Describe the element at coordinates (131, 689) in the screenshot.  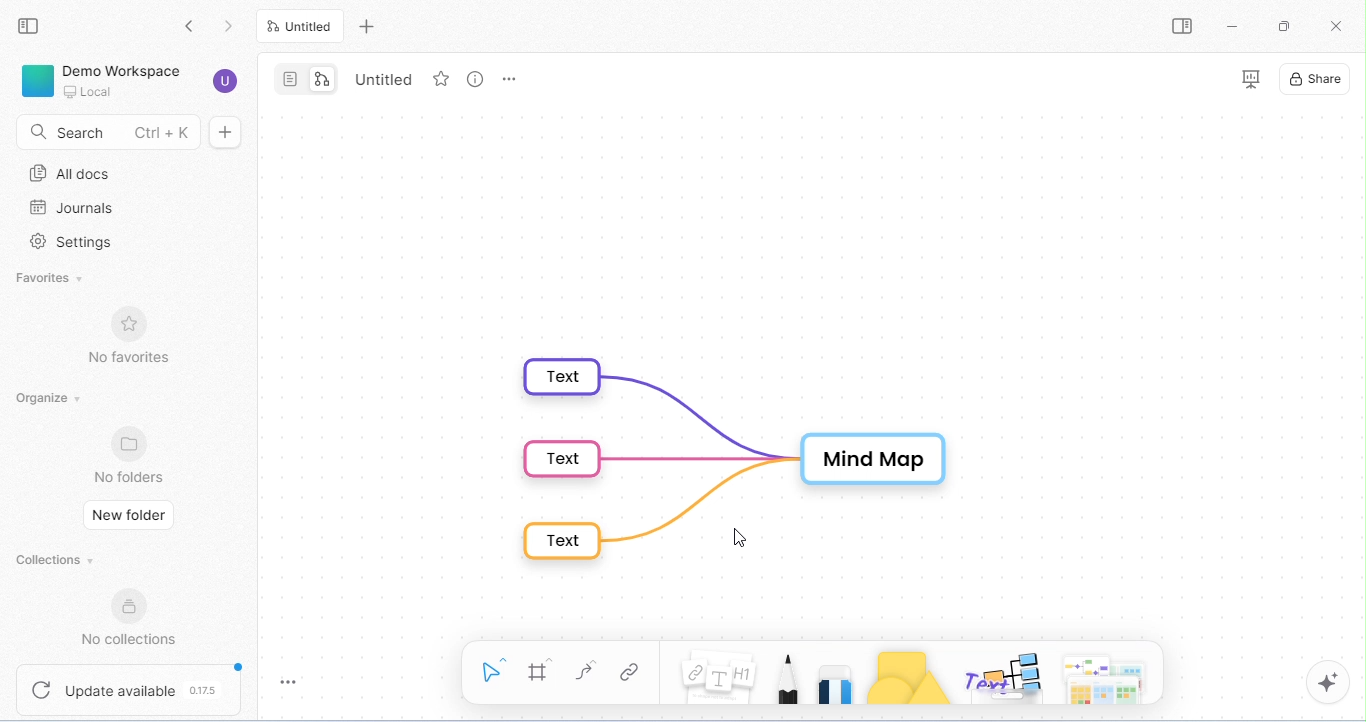
I see `update` at that location.